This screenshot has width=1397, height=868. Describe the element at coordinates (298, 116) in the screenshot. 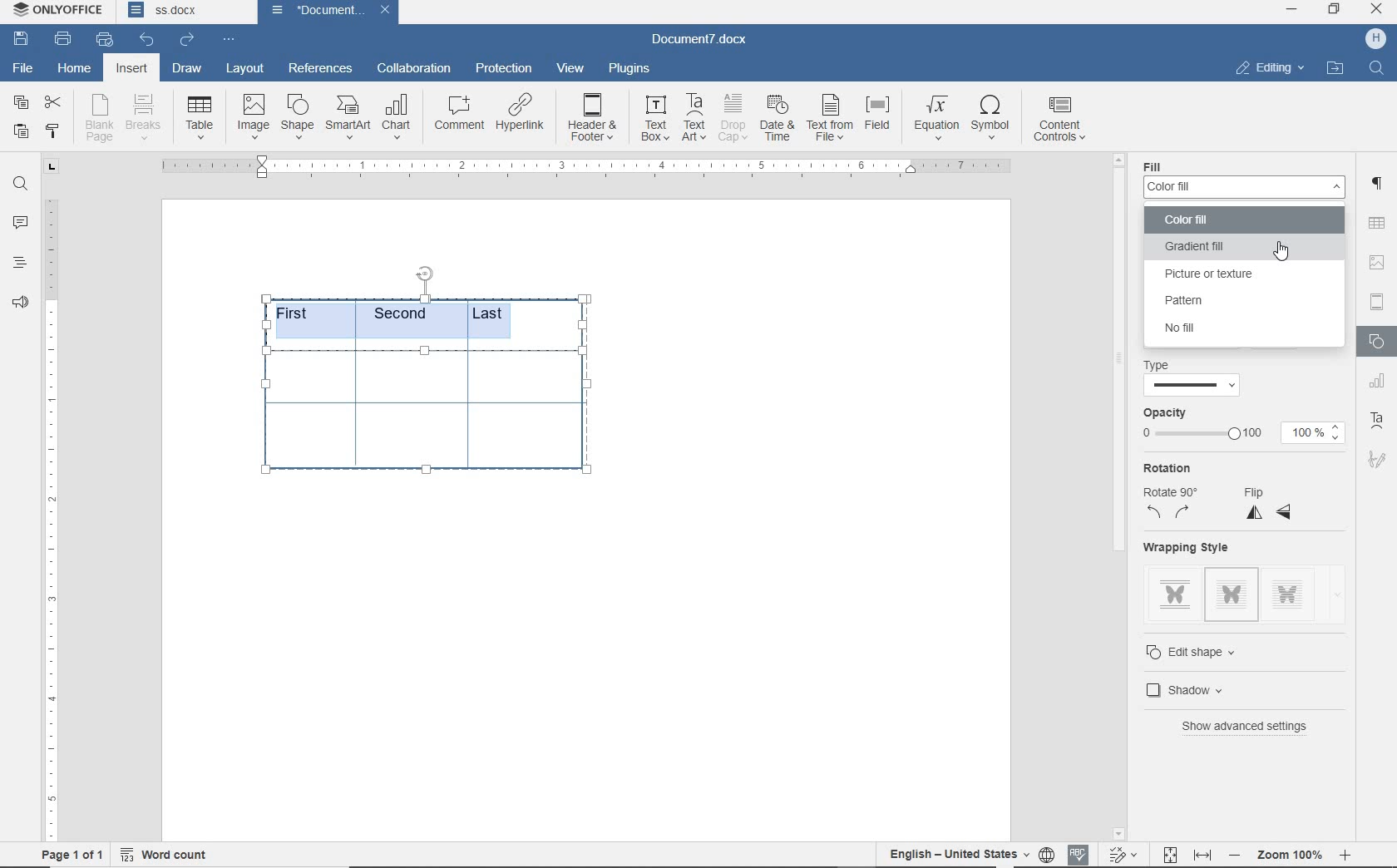

I see `shape` at that location.